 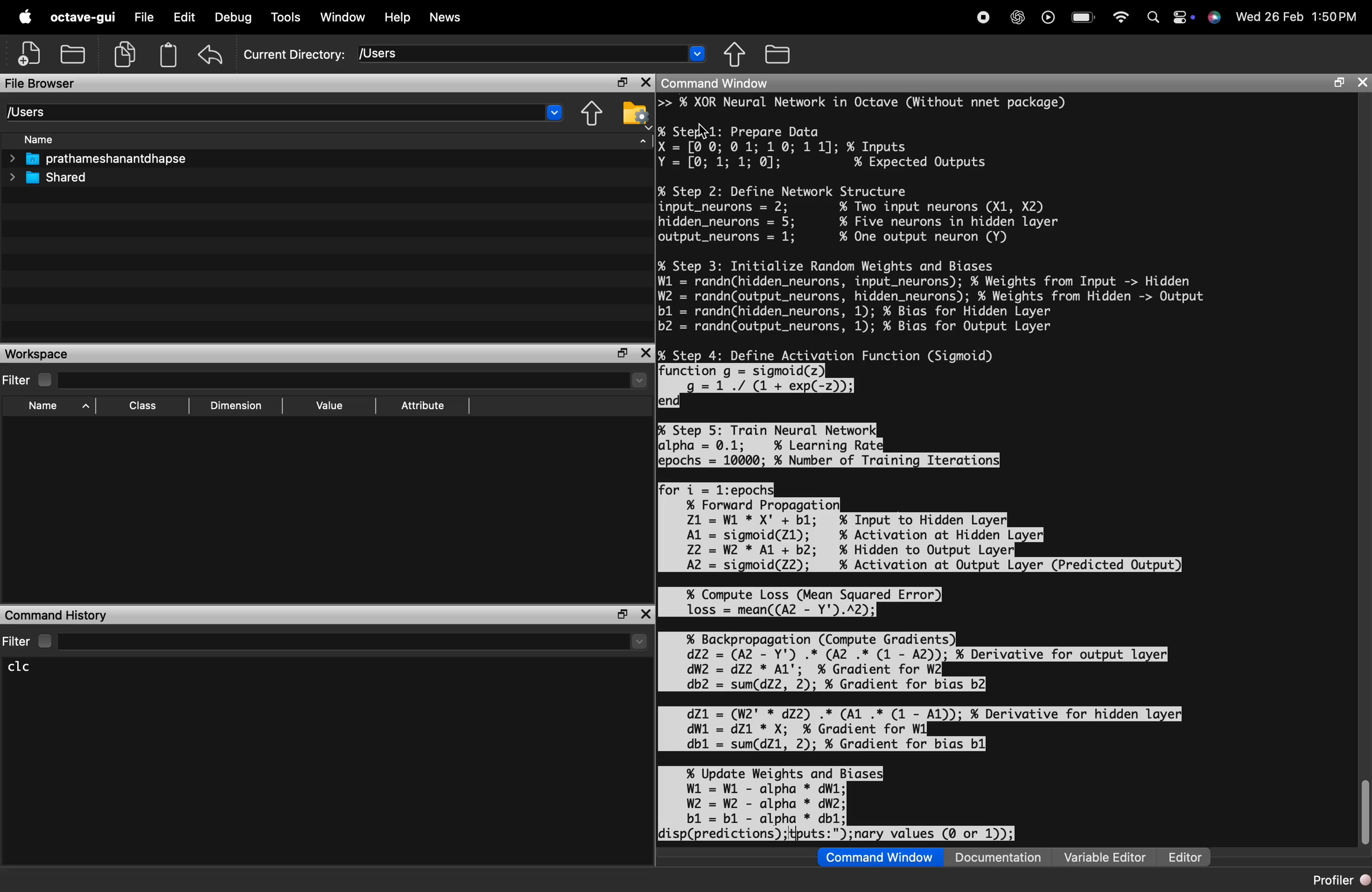 I want to click on Chat Gpt, so click(x=1015, y=18).